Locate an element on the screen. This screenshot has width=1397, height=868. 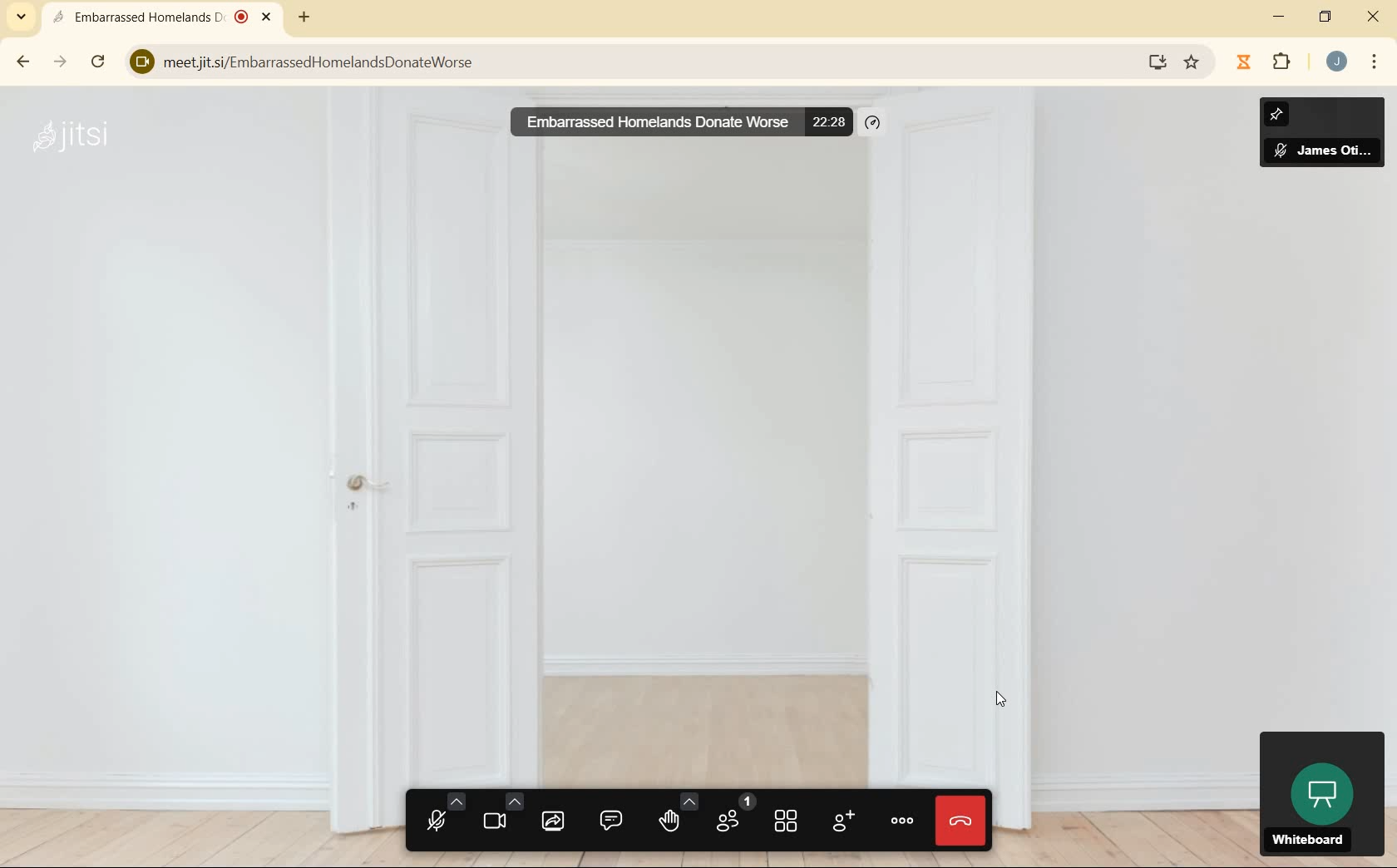
bookmark is located at coordinates (1191, 62).